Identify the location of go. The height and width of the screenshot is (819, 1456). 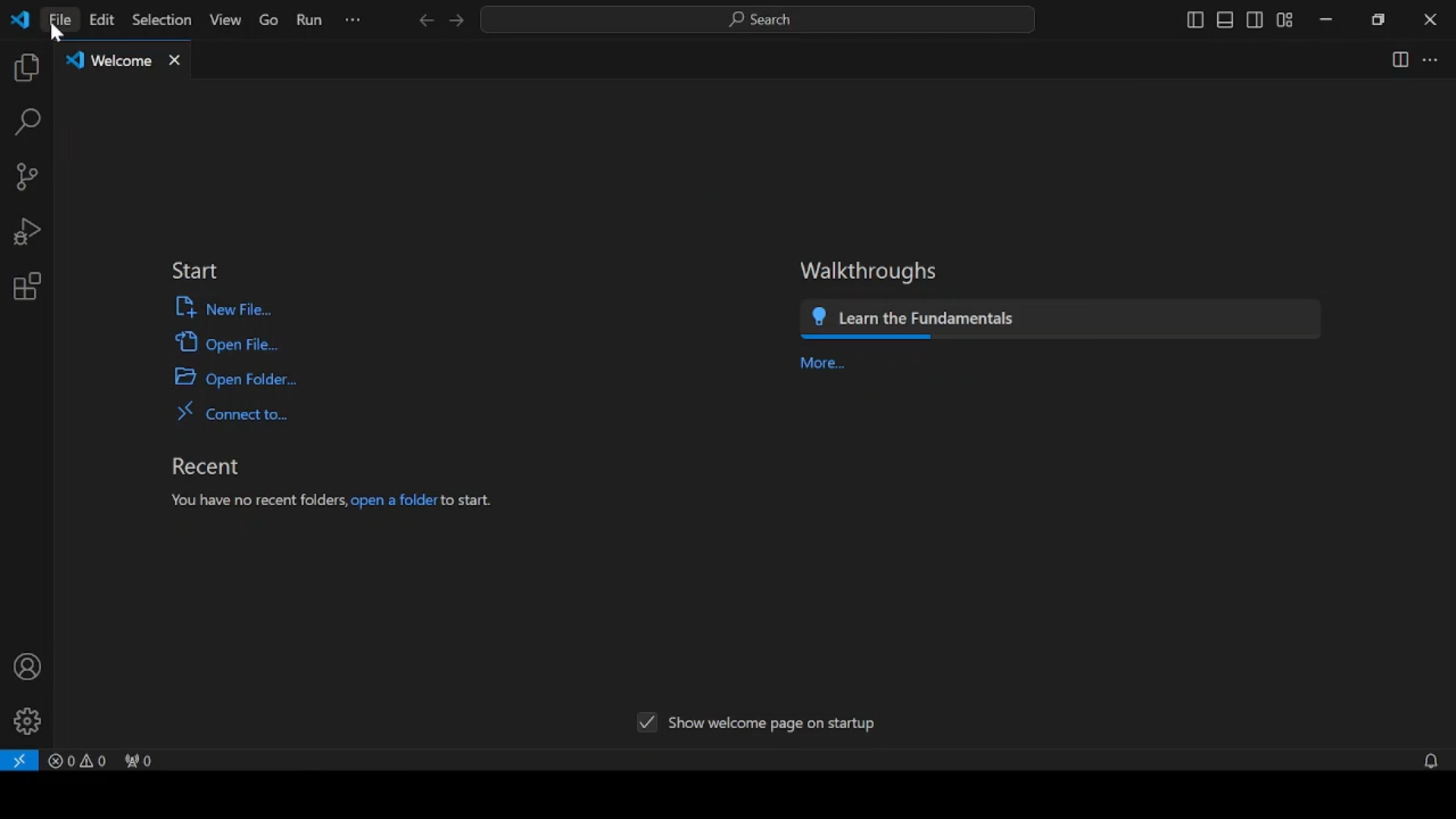
(266, 20).